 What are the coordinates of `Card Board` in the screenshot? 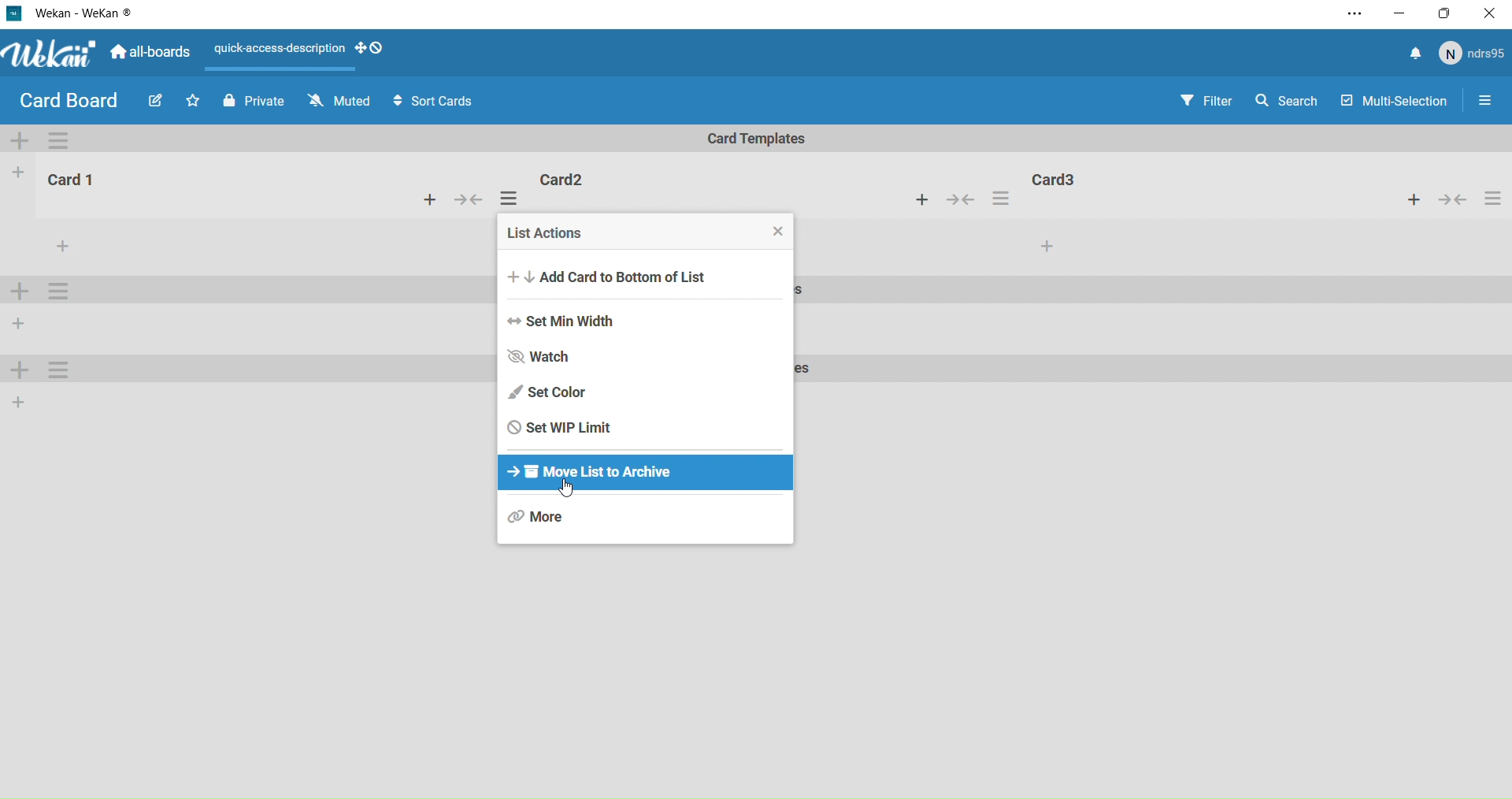 It's located at (68, 102).